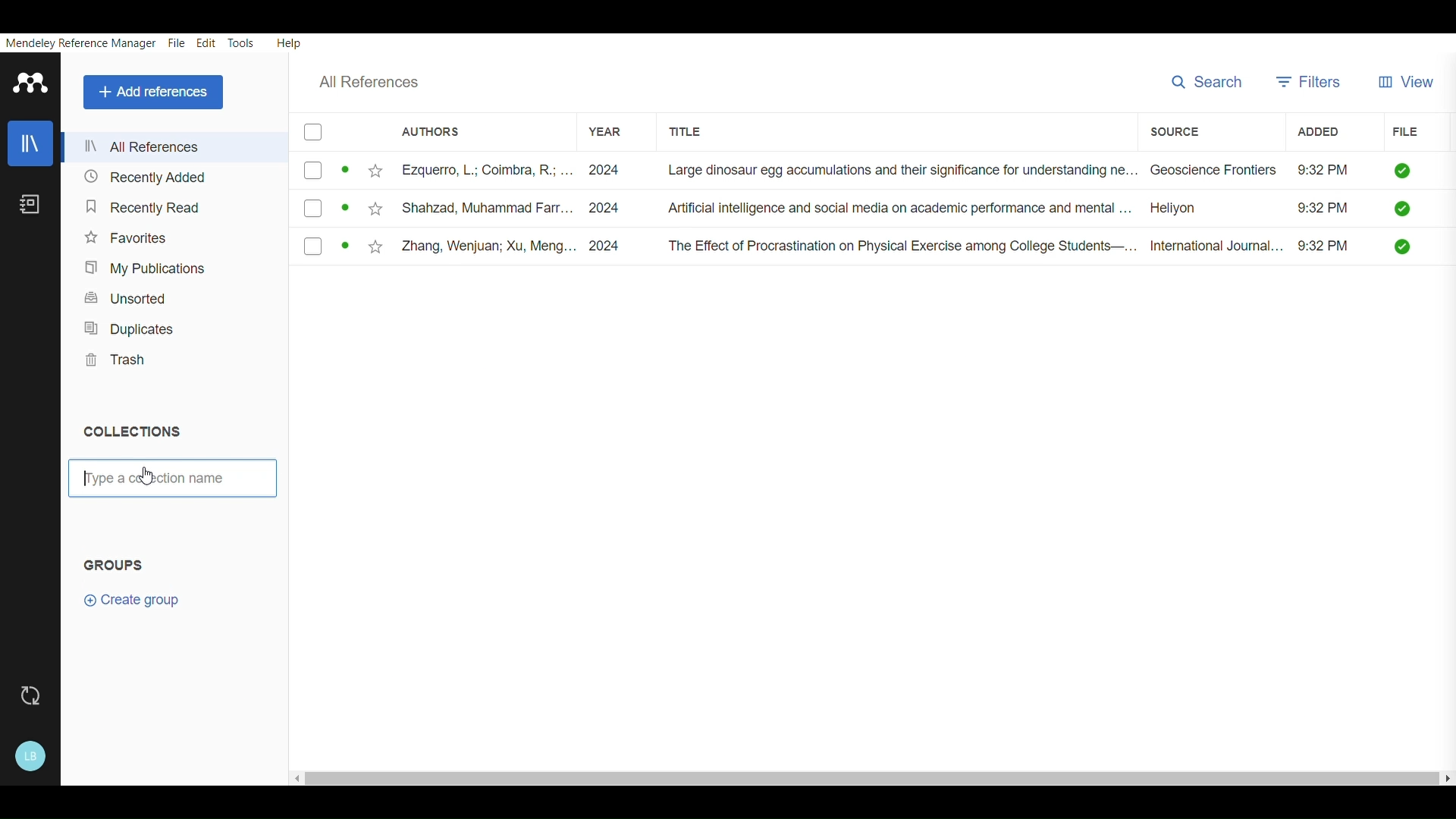 Image resolution: width=1456 pixels, height=819 pixels. What do you see at coordinates (612, 245) in the screenshot?
I see `2024` at bounding box center [612, 245].